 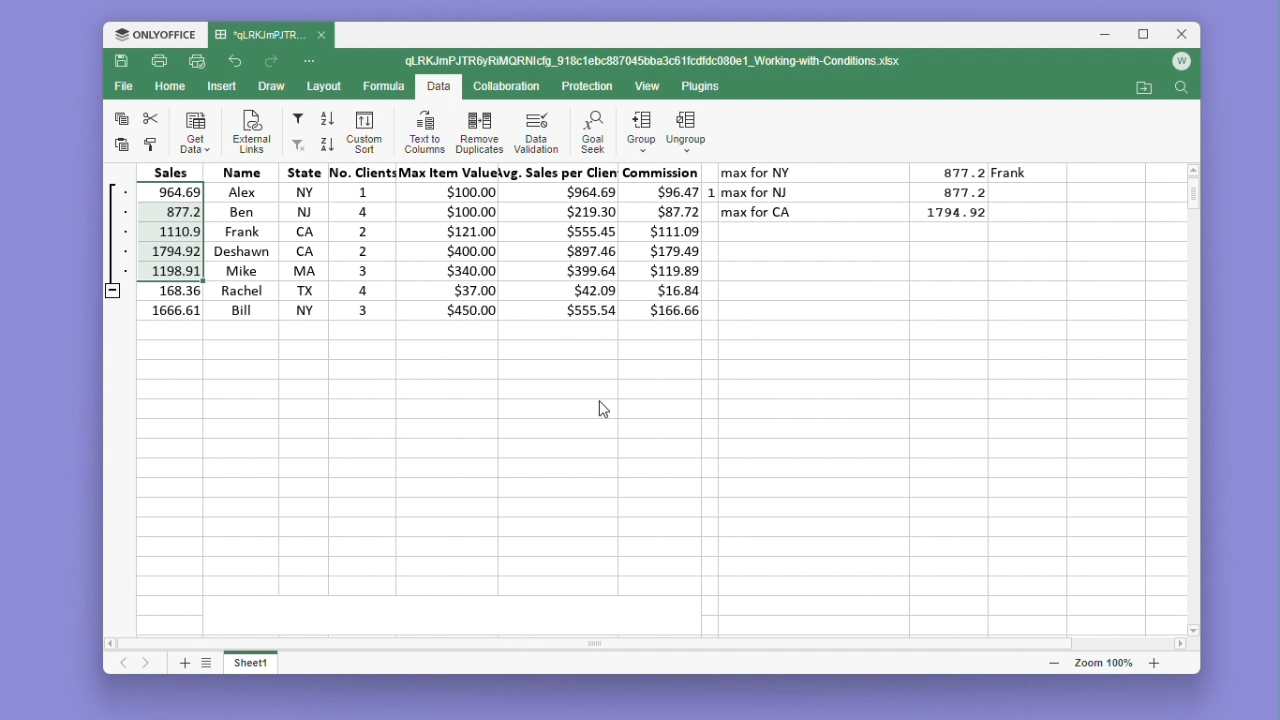 What do you see at coordinates (172, 86) in the screenshot?
I see `` at bounding box center [172, 86].